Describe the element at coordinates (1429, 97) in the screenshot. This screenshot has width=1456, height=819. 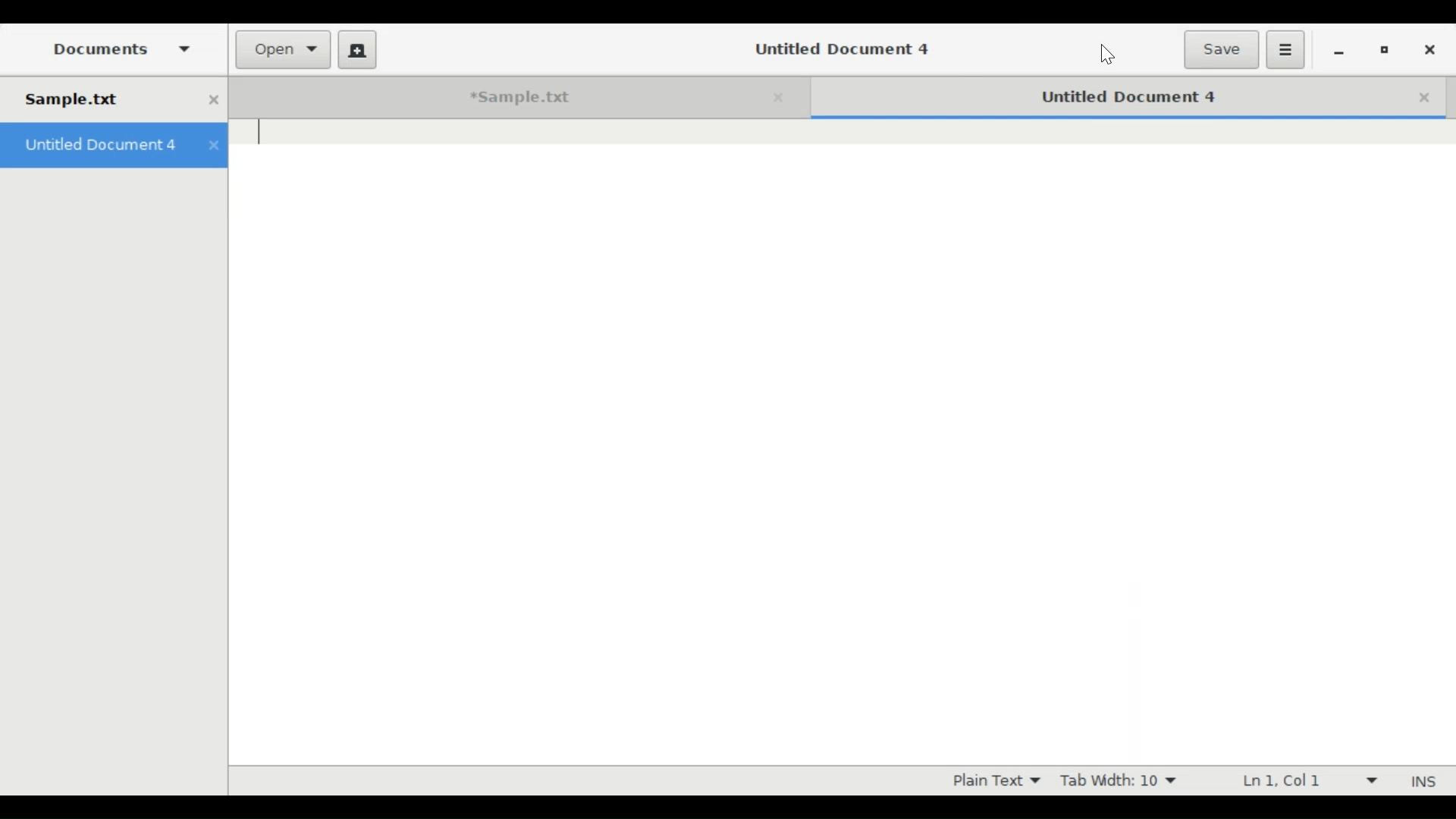
I see `Close` at that location.